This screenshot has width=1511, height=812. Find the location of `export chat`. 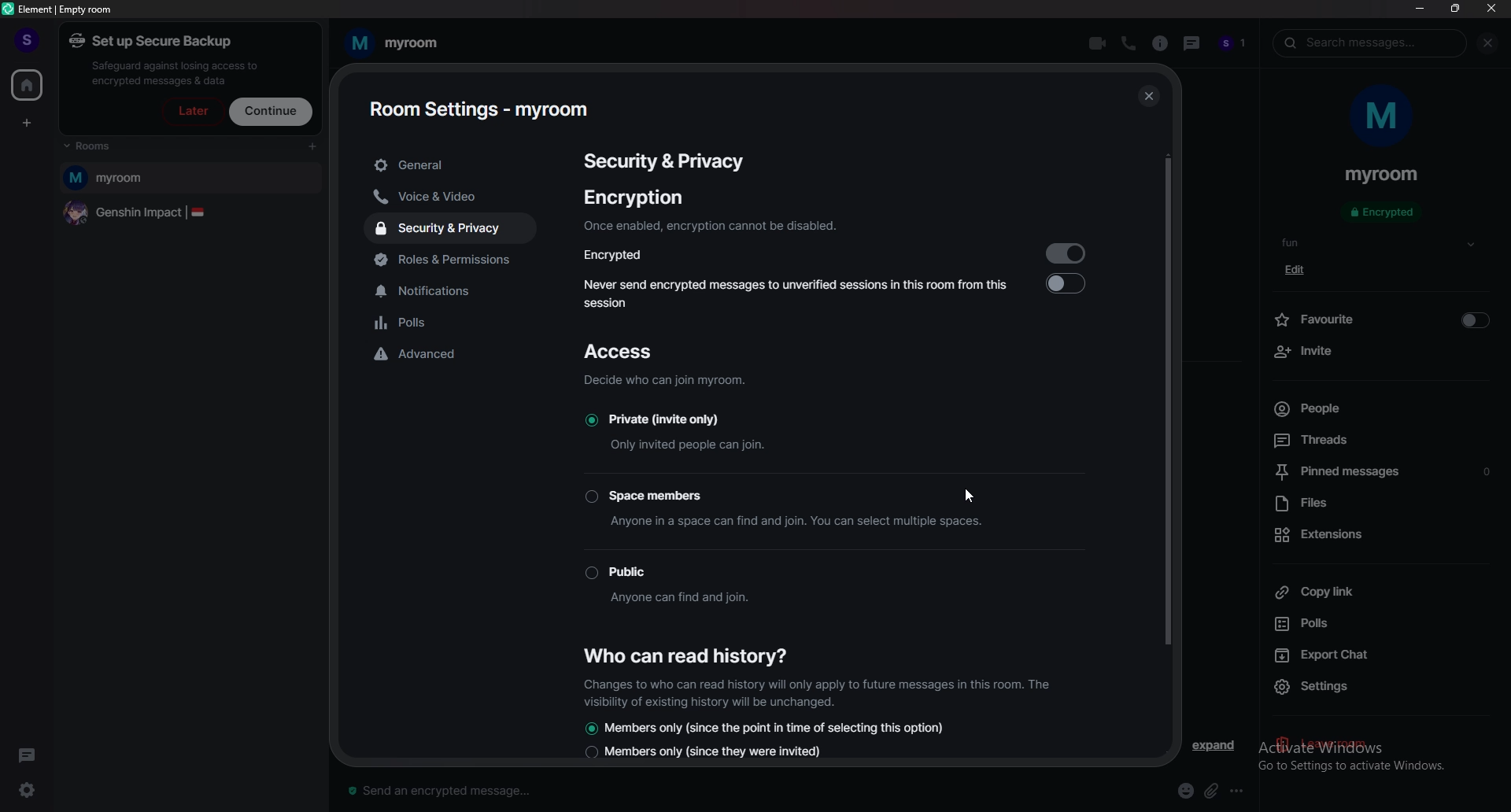

export chat is located at coordinates (1379, 655).